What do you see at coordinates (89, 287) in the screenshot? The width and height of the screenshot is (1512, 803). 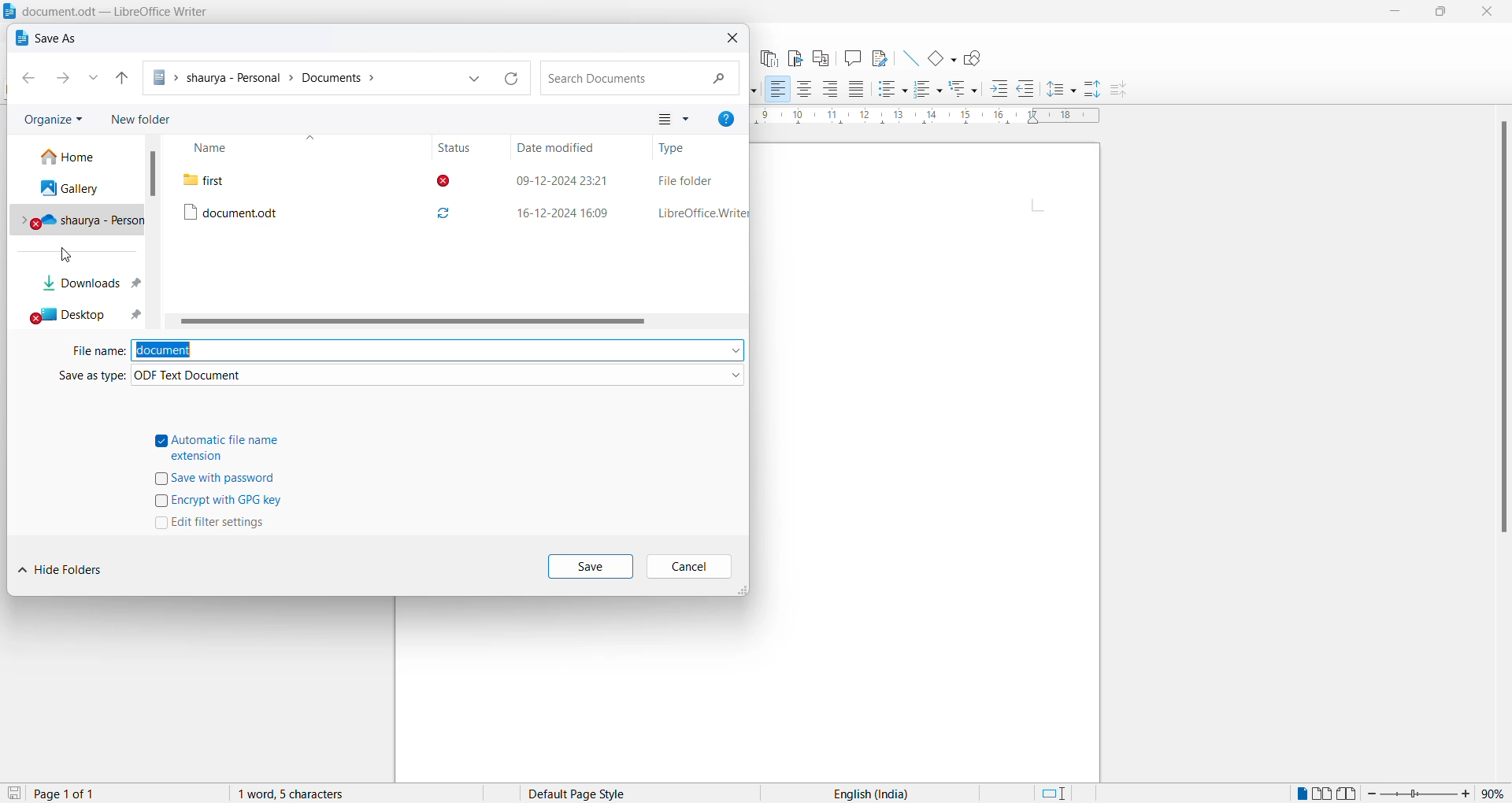 I see `Downloads` at bounding box center [89, 287].